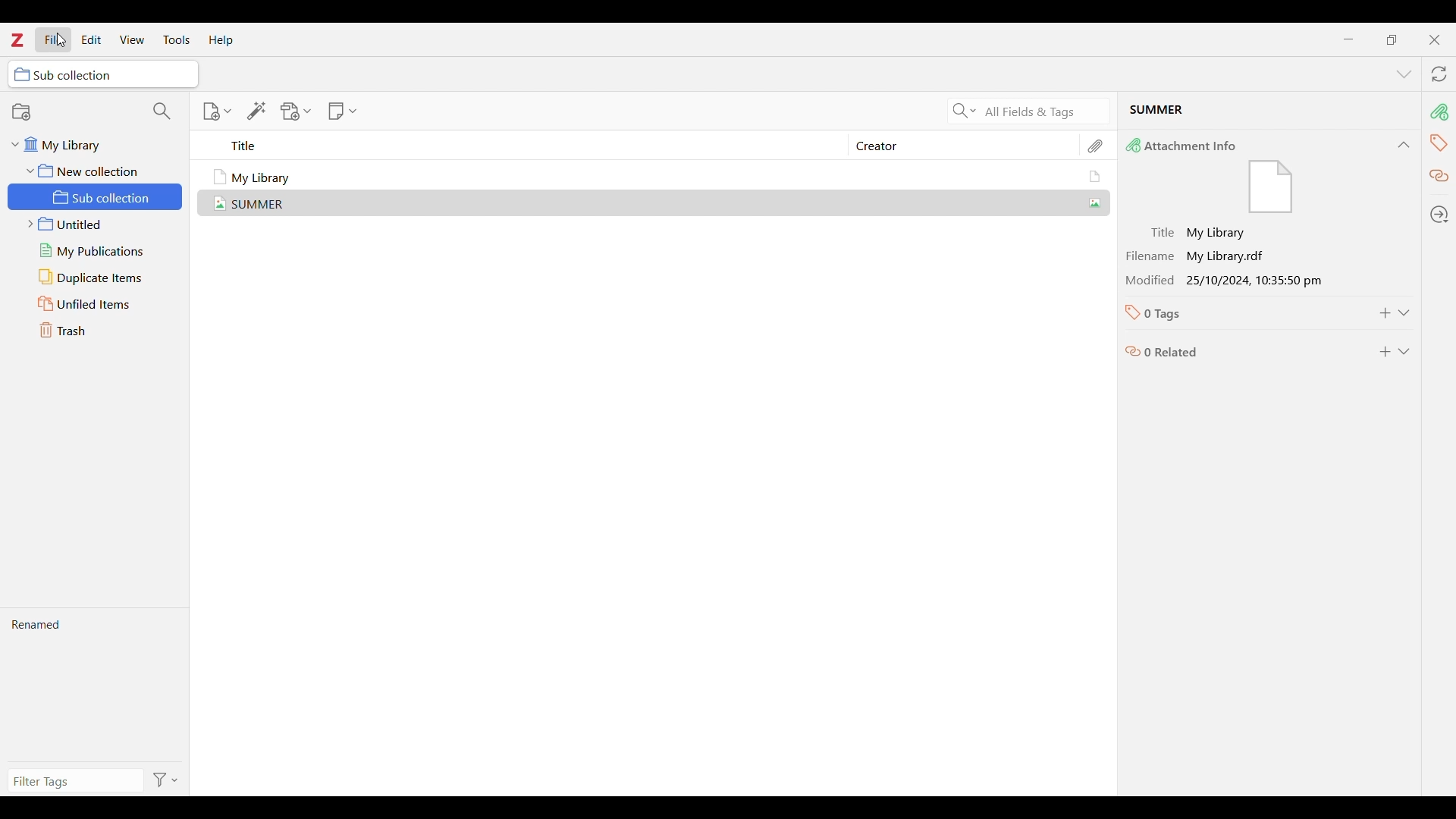 Image resolution: width=1456 pixels, height=819 pixels. What do you see at coordinates (1385, 313) in the screenshot?
I see `Add` at bounding box center [1385, 313].